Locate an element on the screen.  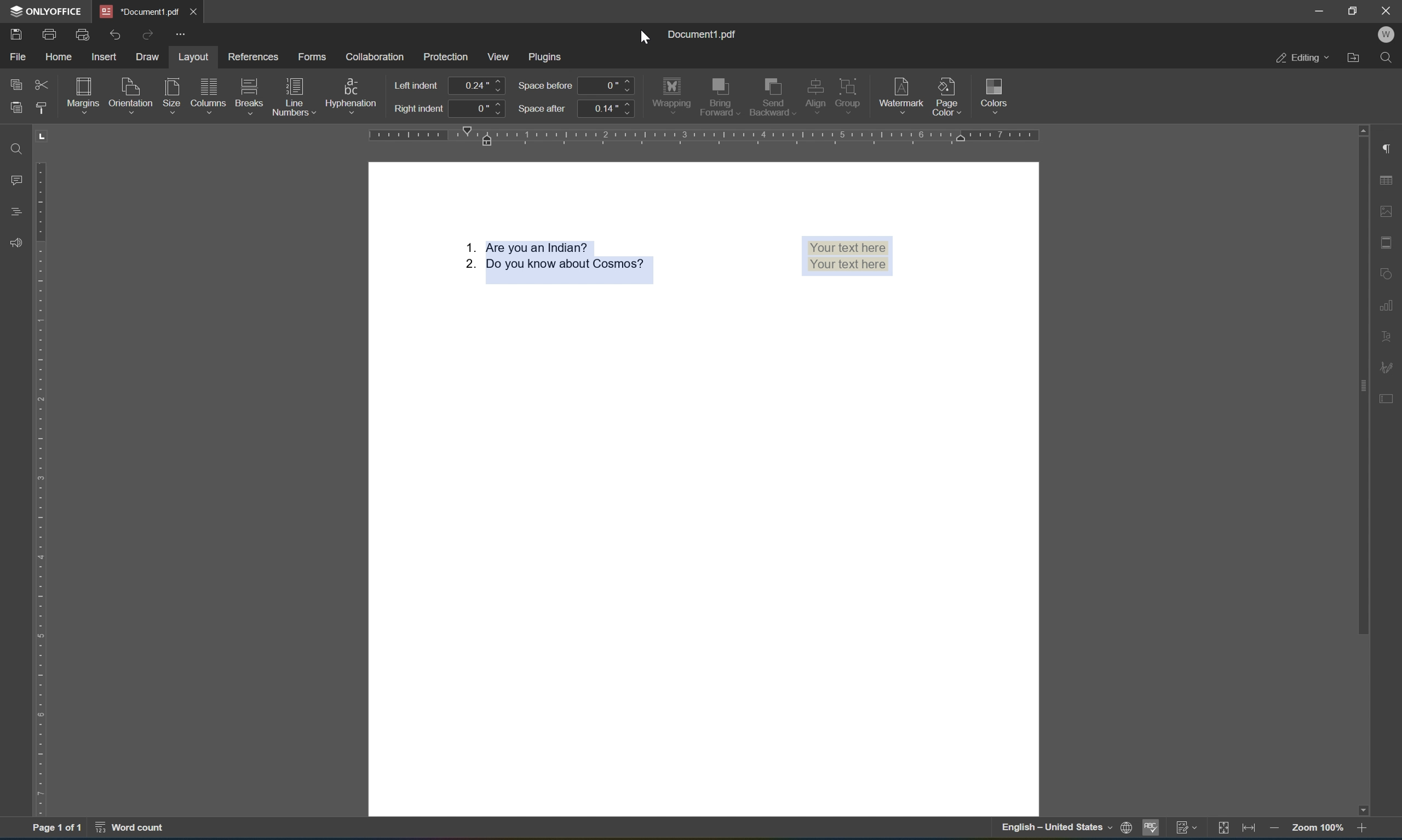
zoom 100% is located at coordinates (1317, 830).